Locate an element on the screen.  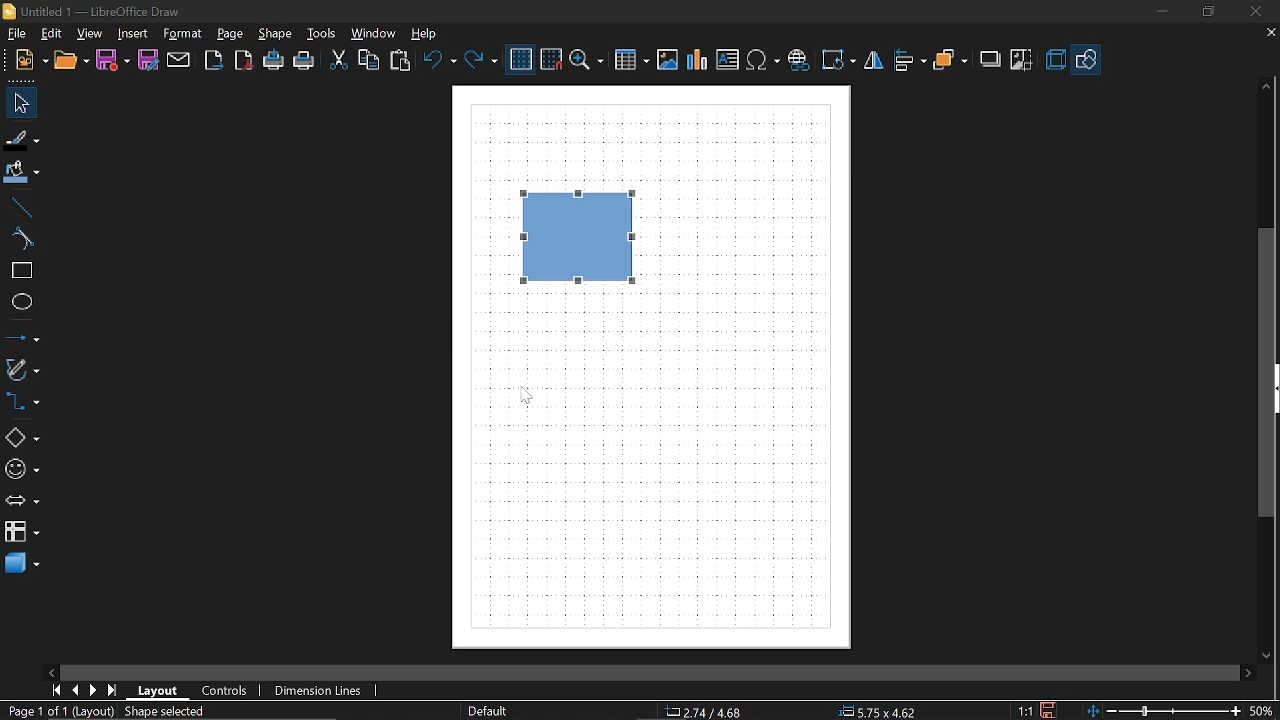
Close is located at coordinates (1254, 12).